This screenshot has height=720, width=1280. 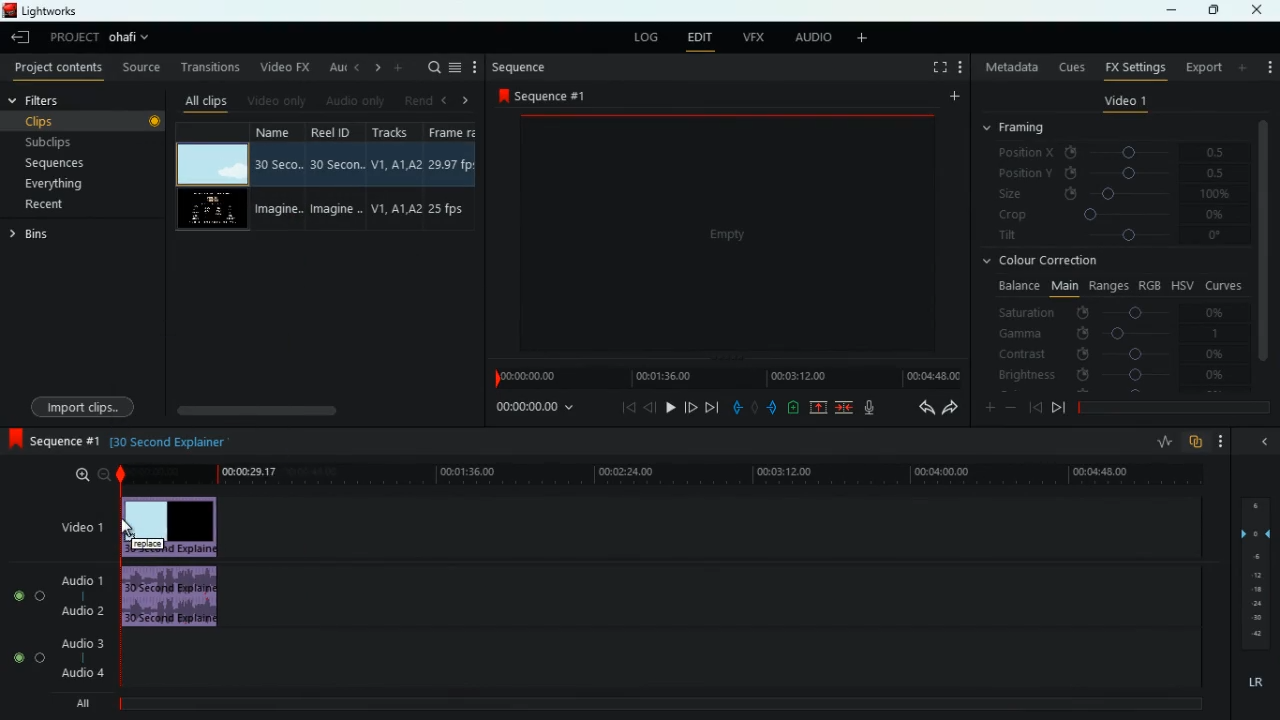 I want to click on video only, so click(x=274, y=101).